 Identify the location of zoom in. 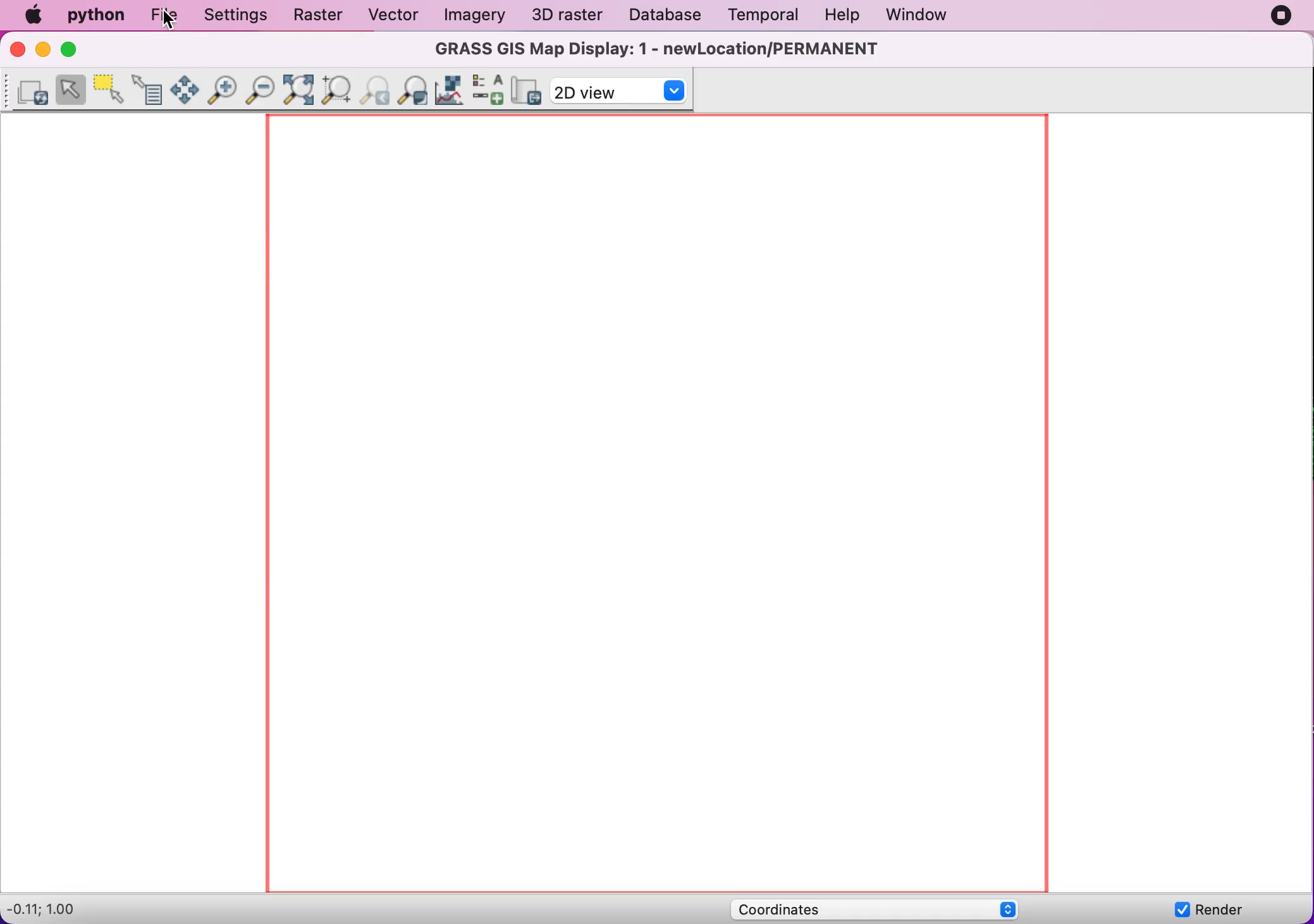
(223, 87).